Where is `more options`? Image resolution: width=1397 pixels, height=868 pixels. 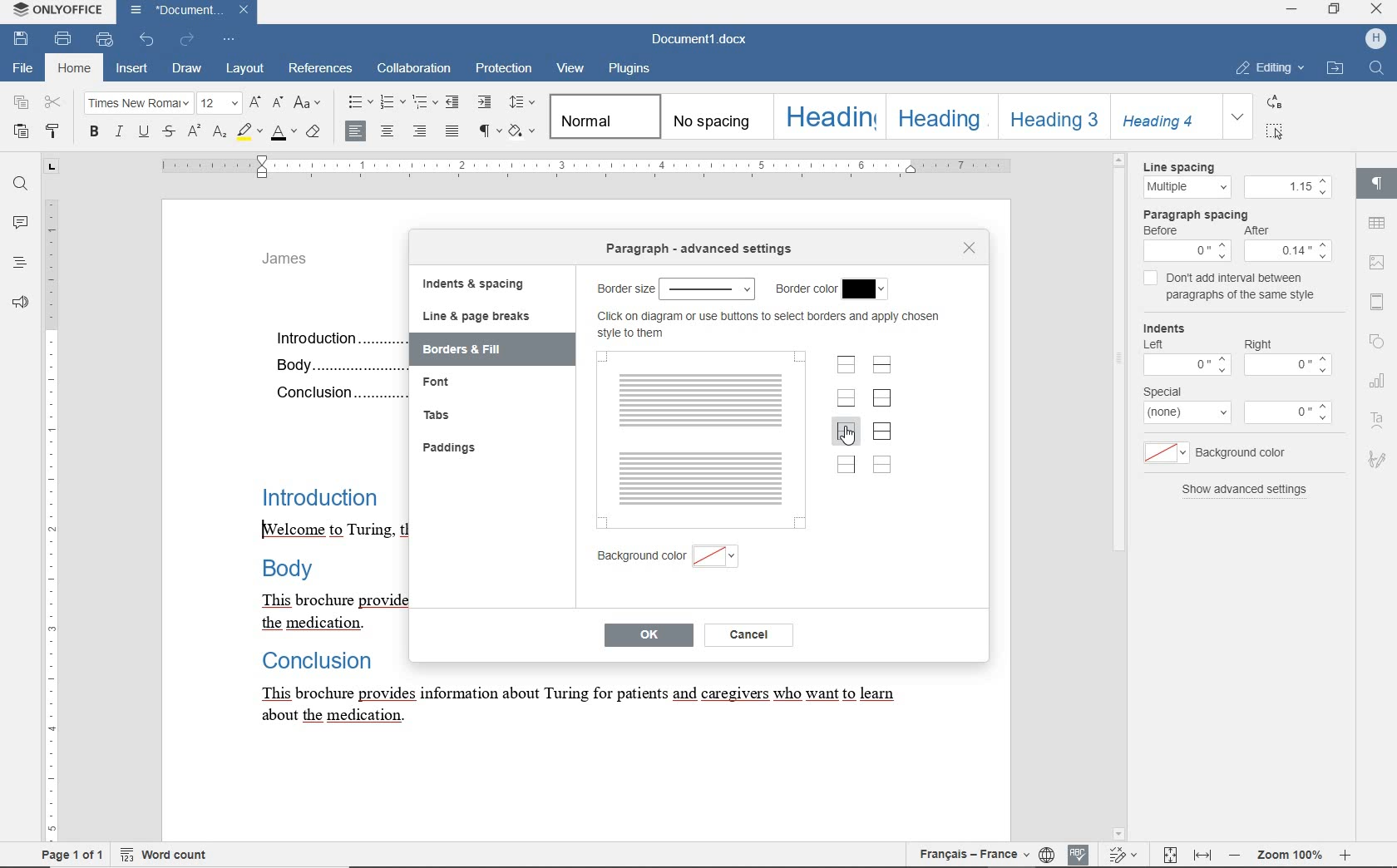 more options is located at coordinates (1287, 367).